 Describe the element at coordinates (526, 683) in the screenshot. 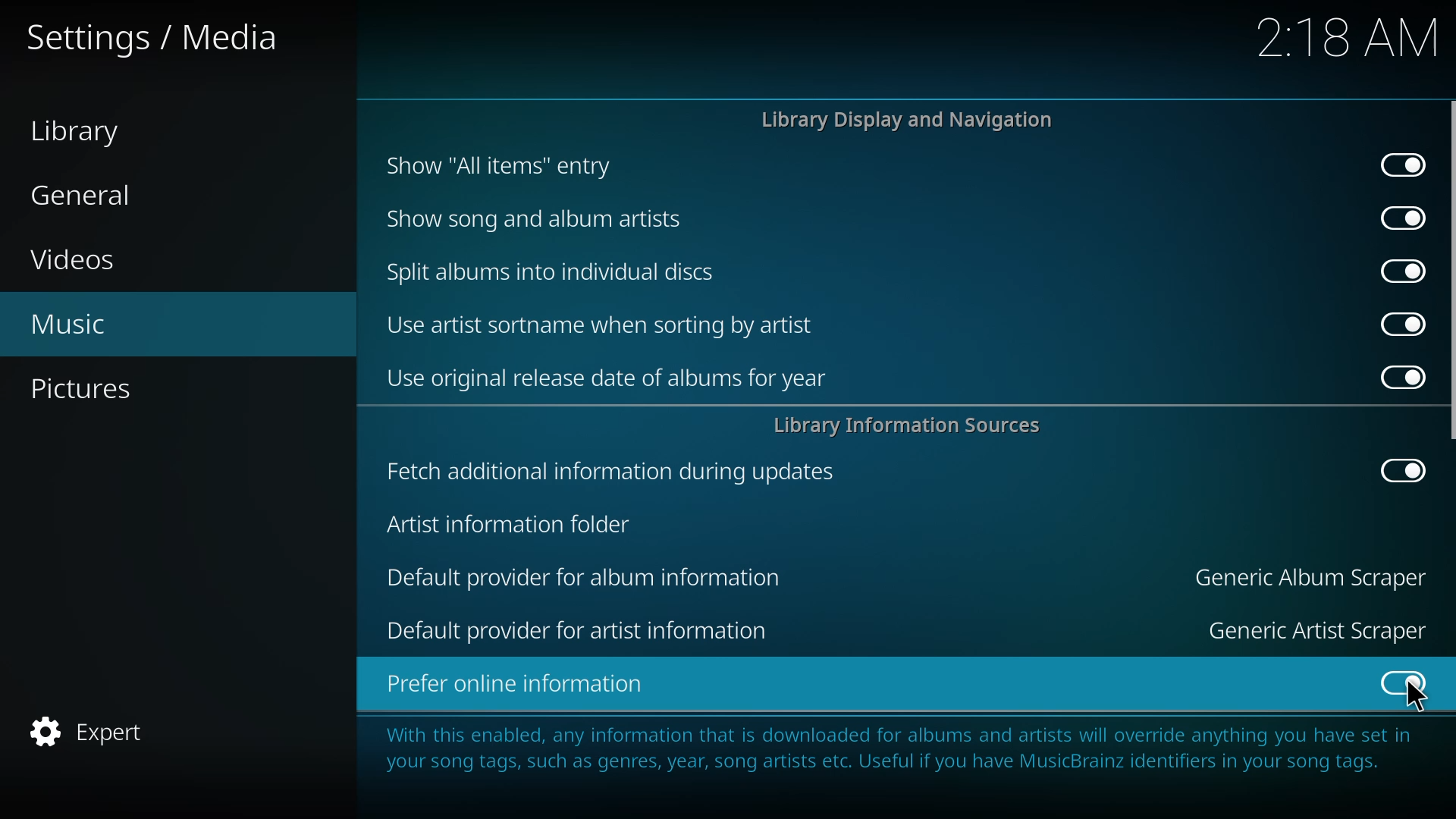

I see `prefer online information` at that location.